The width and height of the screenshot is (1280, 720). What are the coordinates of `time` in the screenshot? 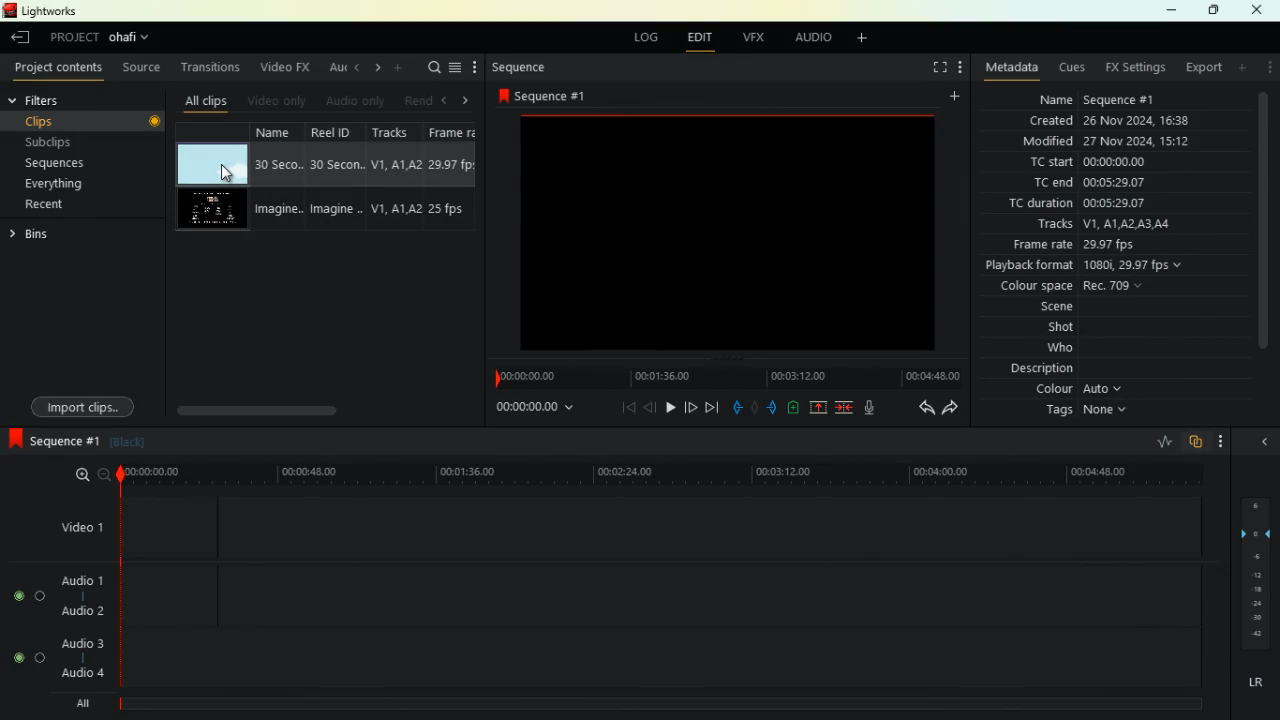 It's located at (532, 410).